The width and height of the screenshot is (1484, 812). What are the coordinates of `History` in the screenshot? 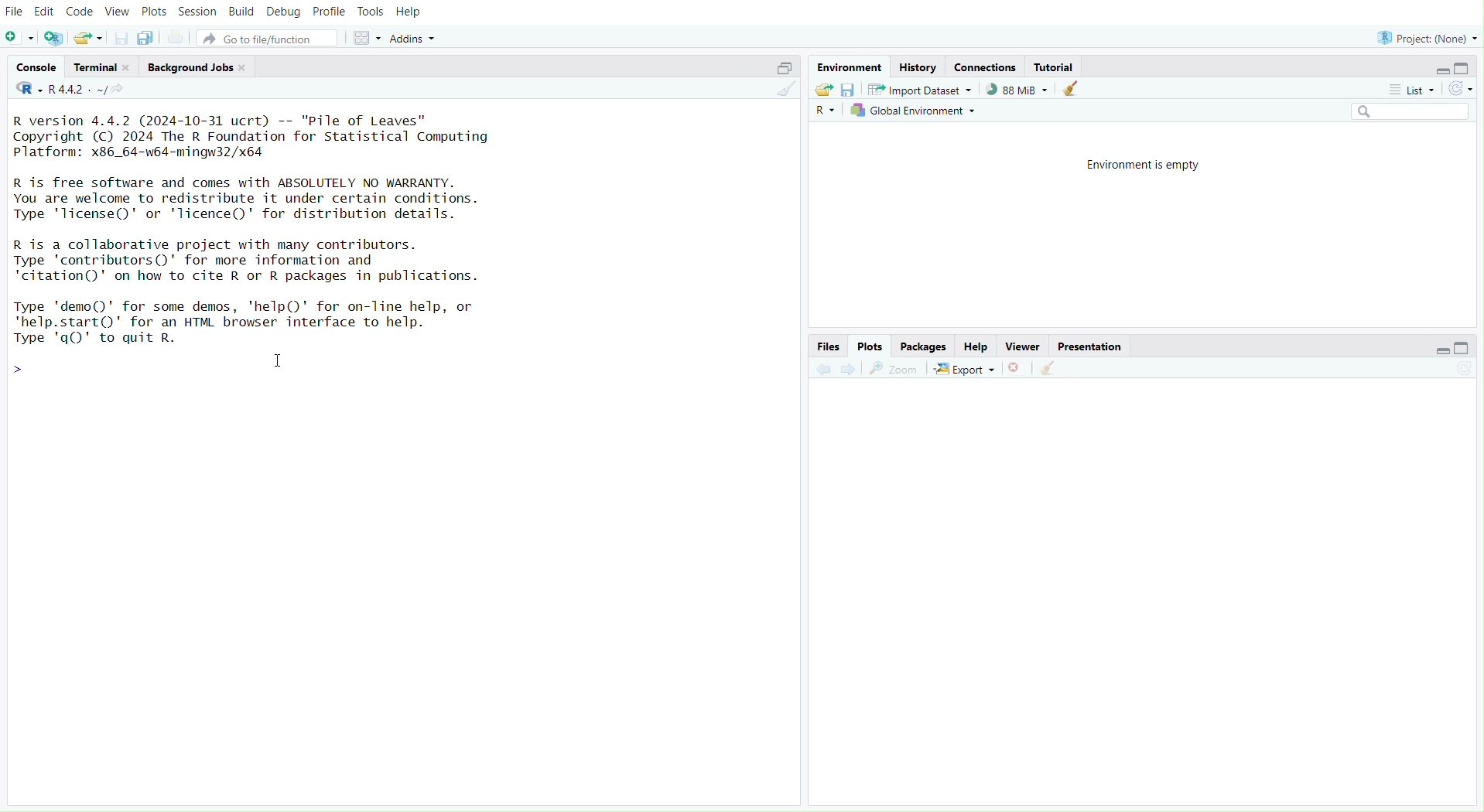 It's located at (918, 66).